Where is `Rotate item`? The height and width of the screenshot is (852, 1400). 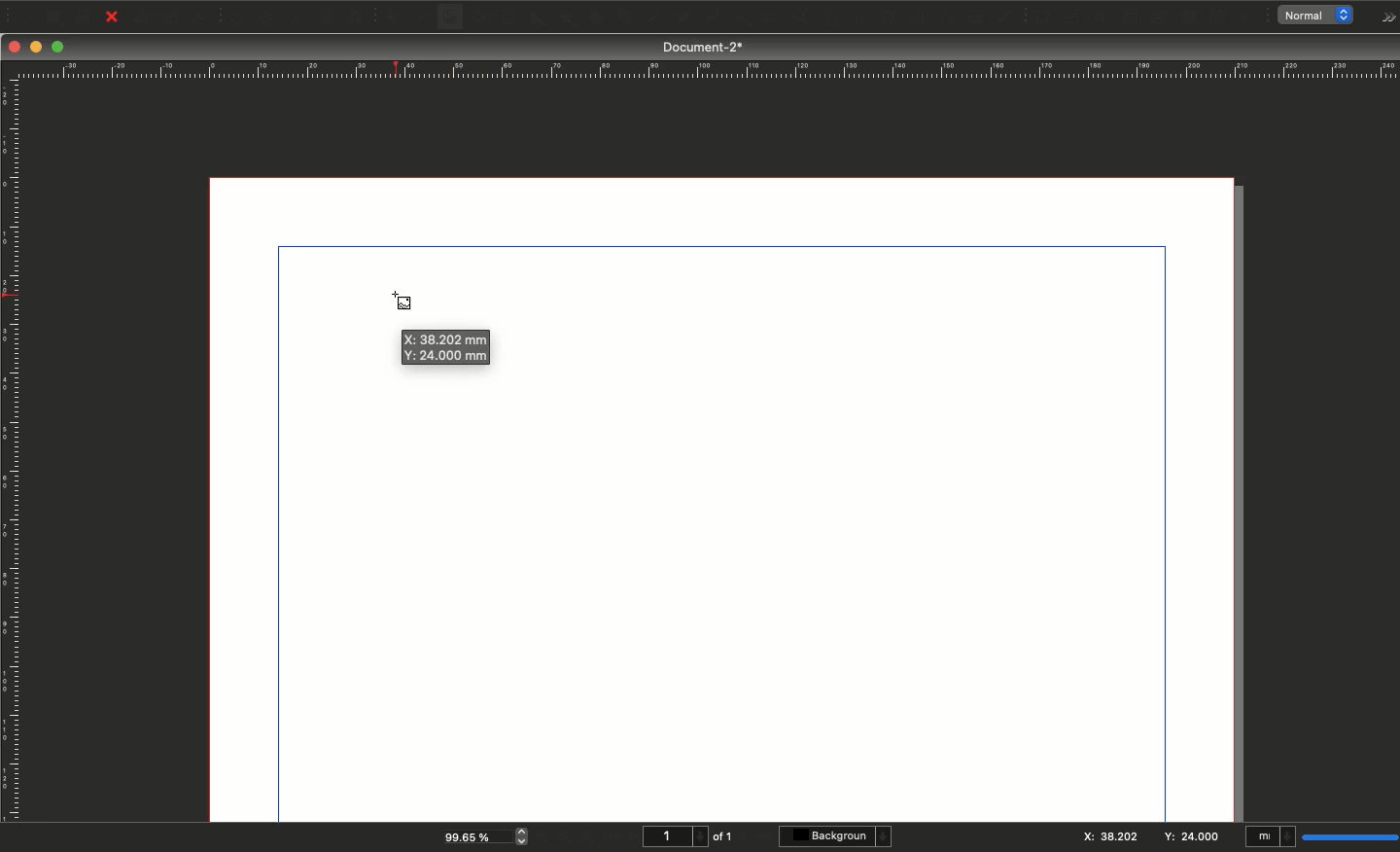 Rotate item is located at coordinates (740, 20).